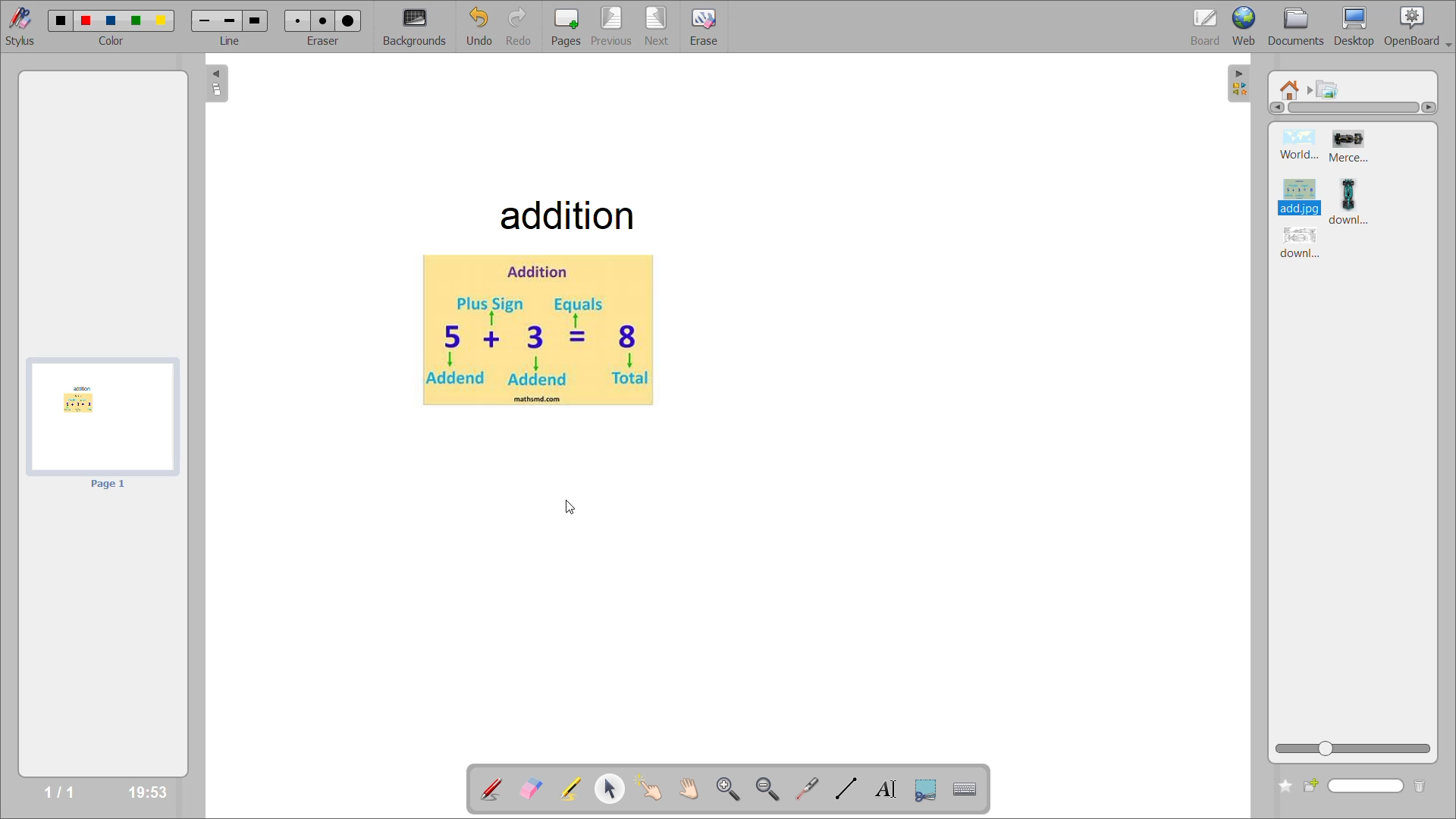 Image resolution: width=1456 pixels, height=819 pixels. Describe the element at coordinates (101, 416) in the screenshot. I see `page 1 preview` at that location.